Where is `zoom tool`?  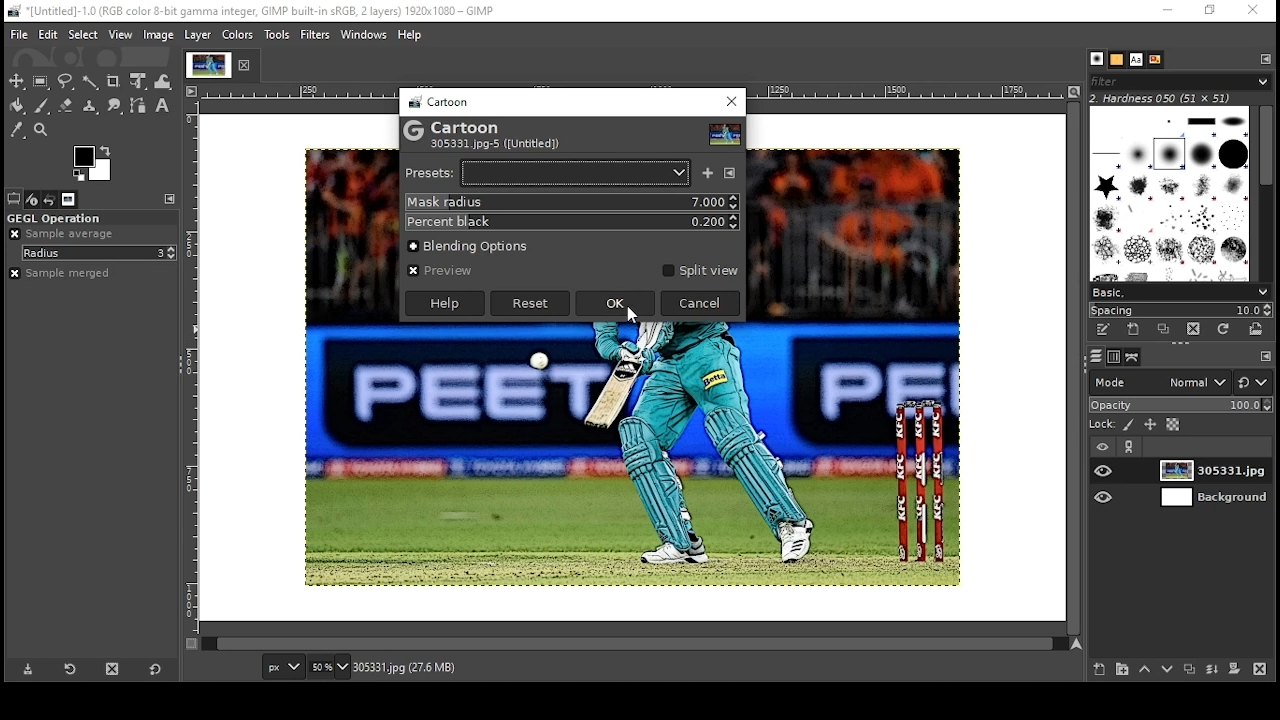 zoom tool is located at coordinates (42, 130).